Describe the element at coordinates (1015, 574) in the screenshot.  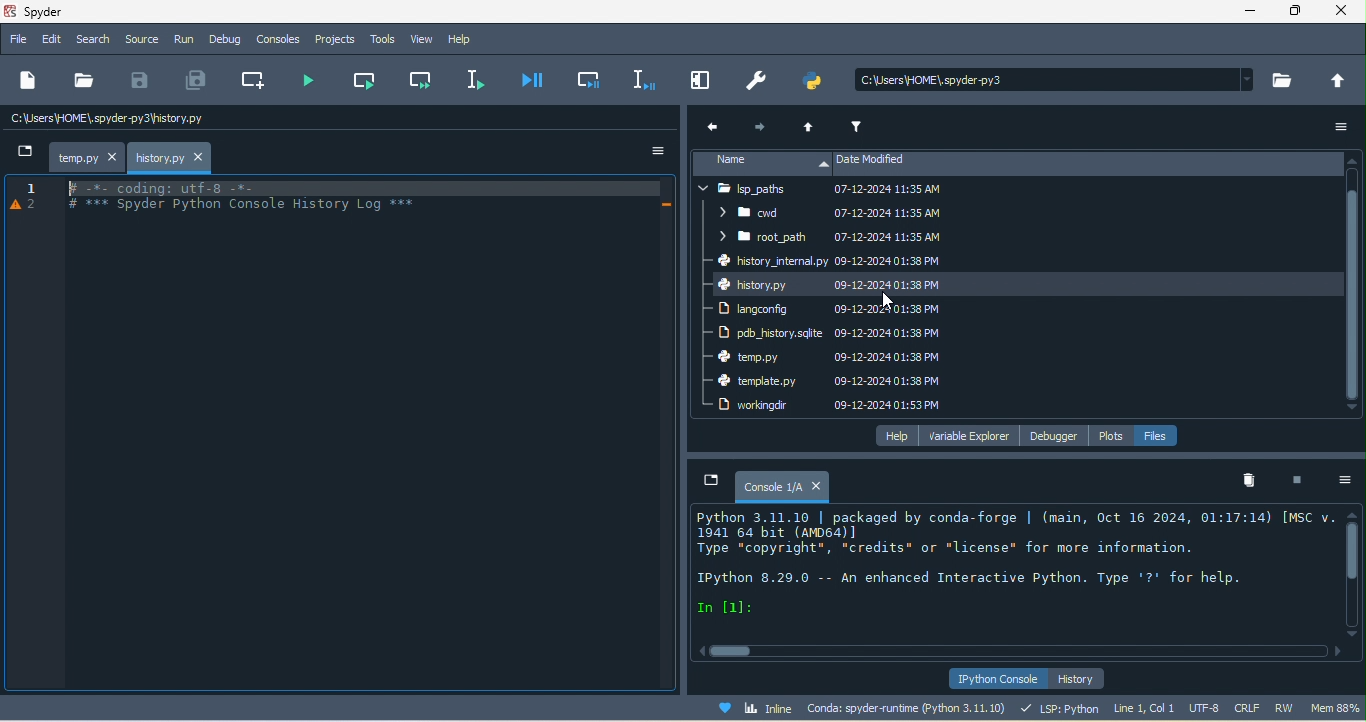
I see `text` at that location.